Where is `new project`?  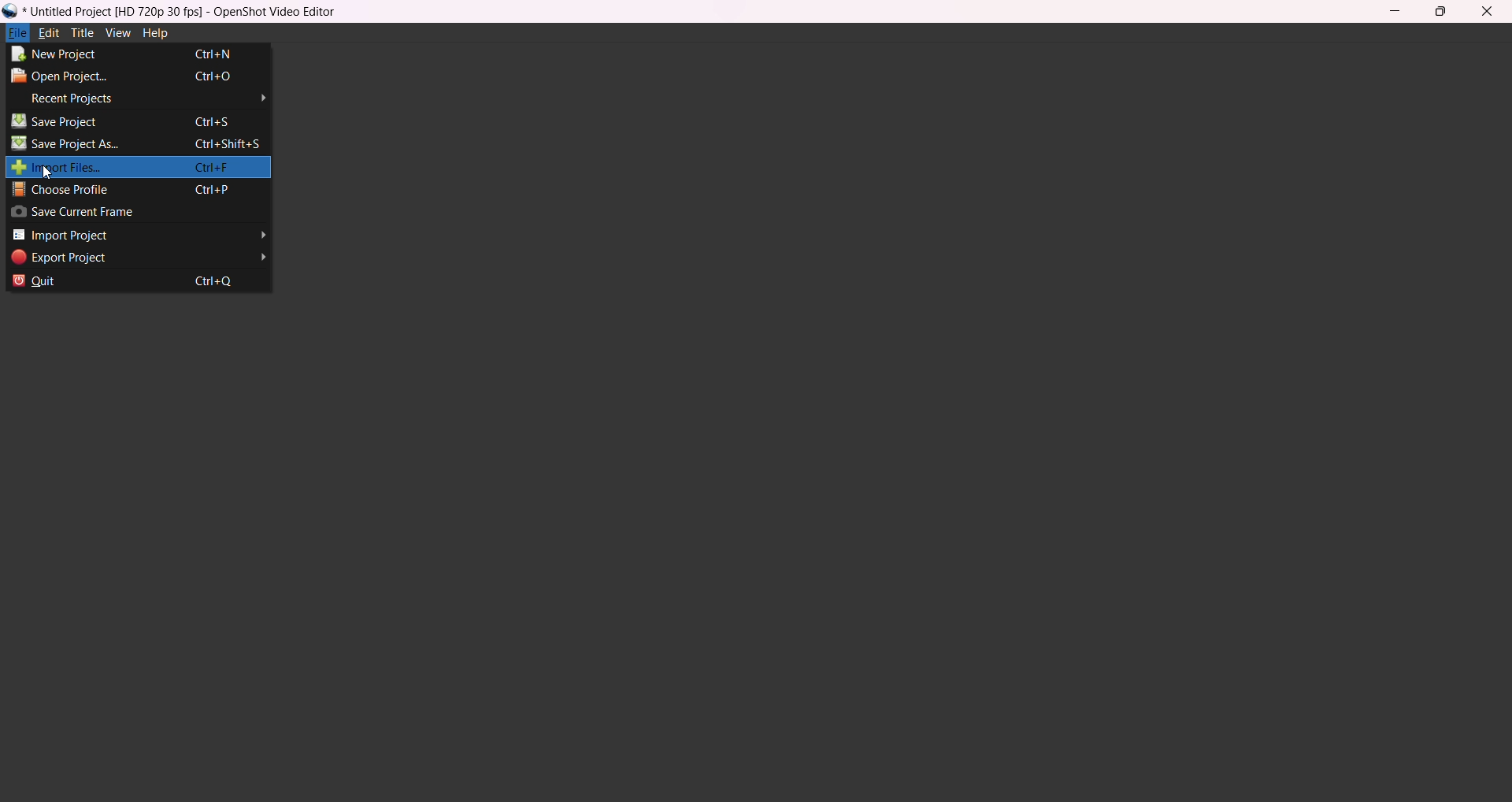 new project is located at coordinates (128, 54).